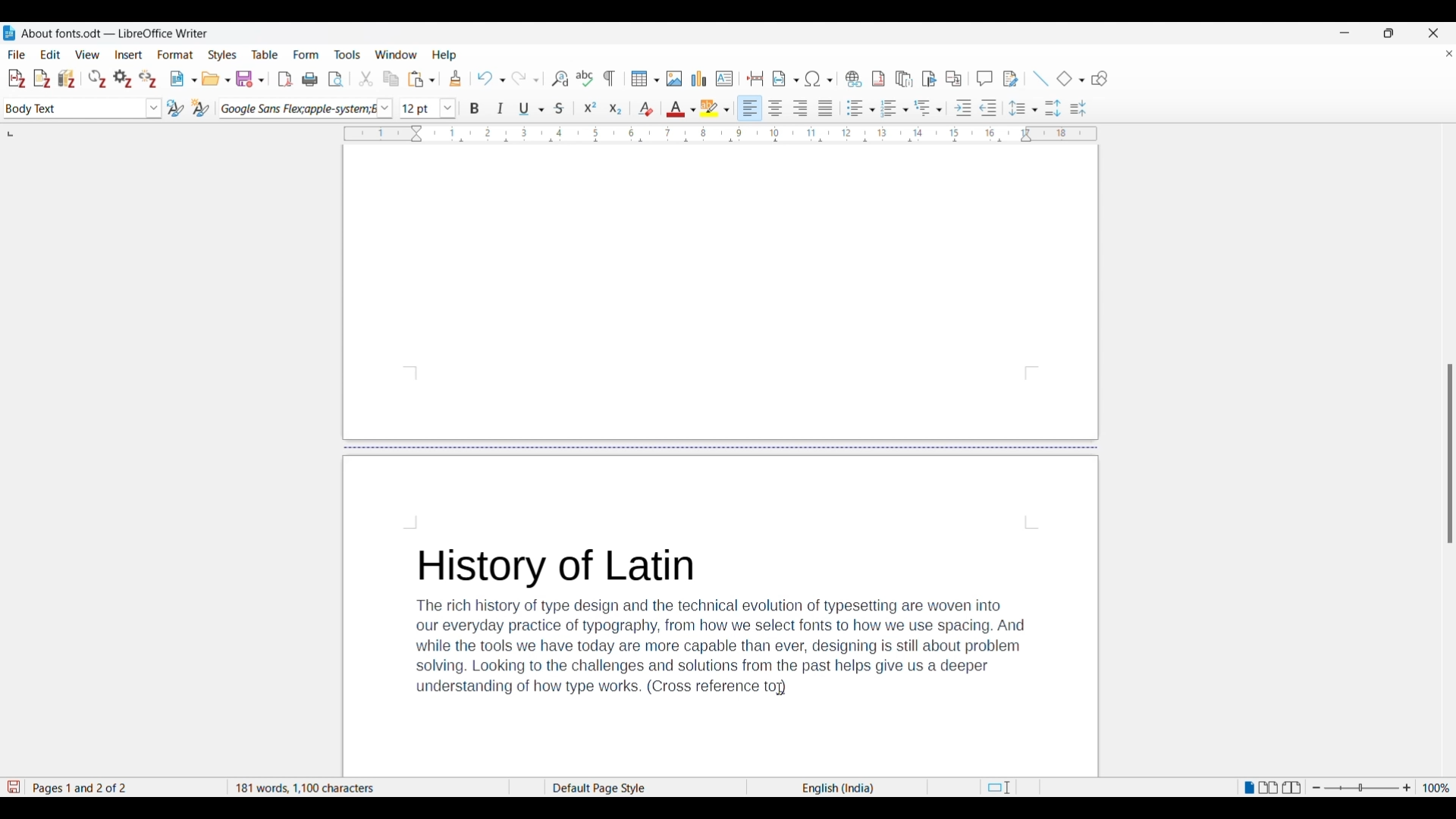 The width and height of the screenshot is (1456, 819). I want to click on Refresh, so click(98, 79).